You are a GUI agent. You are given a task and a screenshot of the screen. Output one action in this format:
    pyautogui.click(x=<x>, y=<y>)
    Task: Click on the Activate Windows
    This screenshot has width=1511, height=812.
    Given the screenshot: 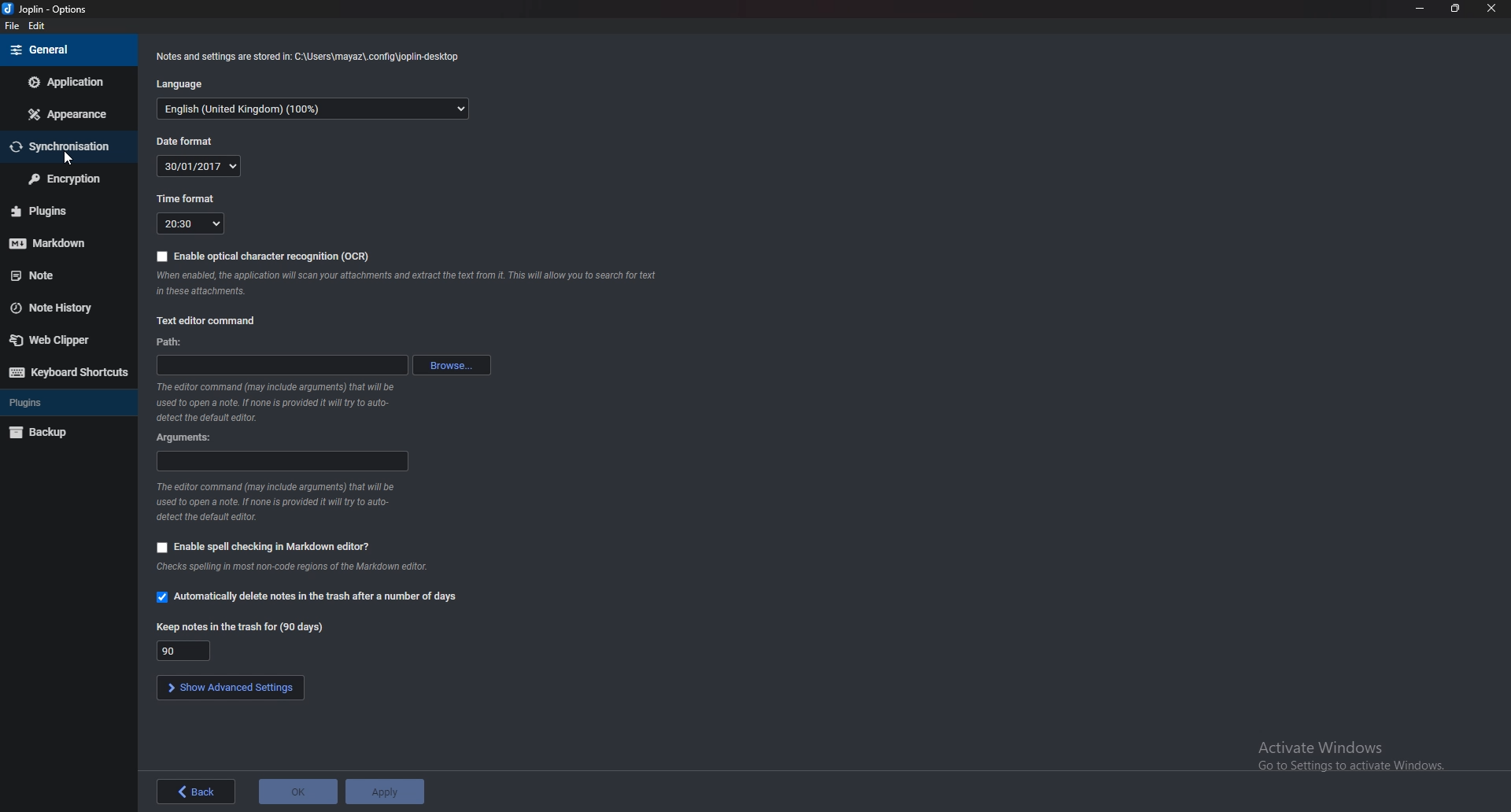 What is the action you would take?
    pyautogui.click(x=1349, y=754)
    